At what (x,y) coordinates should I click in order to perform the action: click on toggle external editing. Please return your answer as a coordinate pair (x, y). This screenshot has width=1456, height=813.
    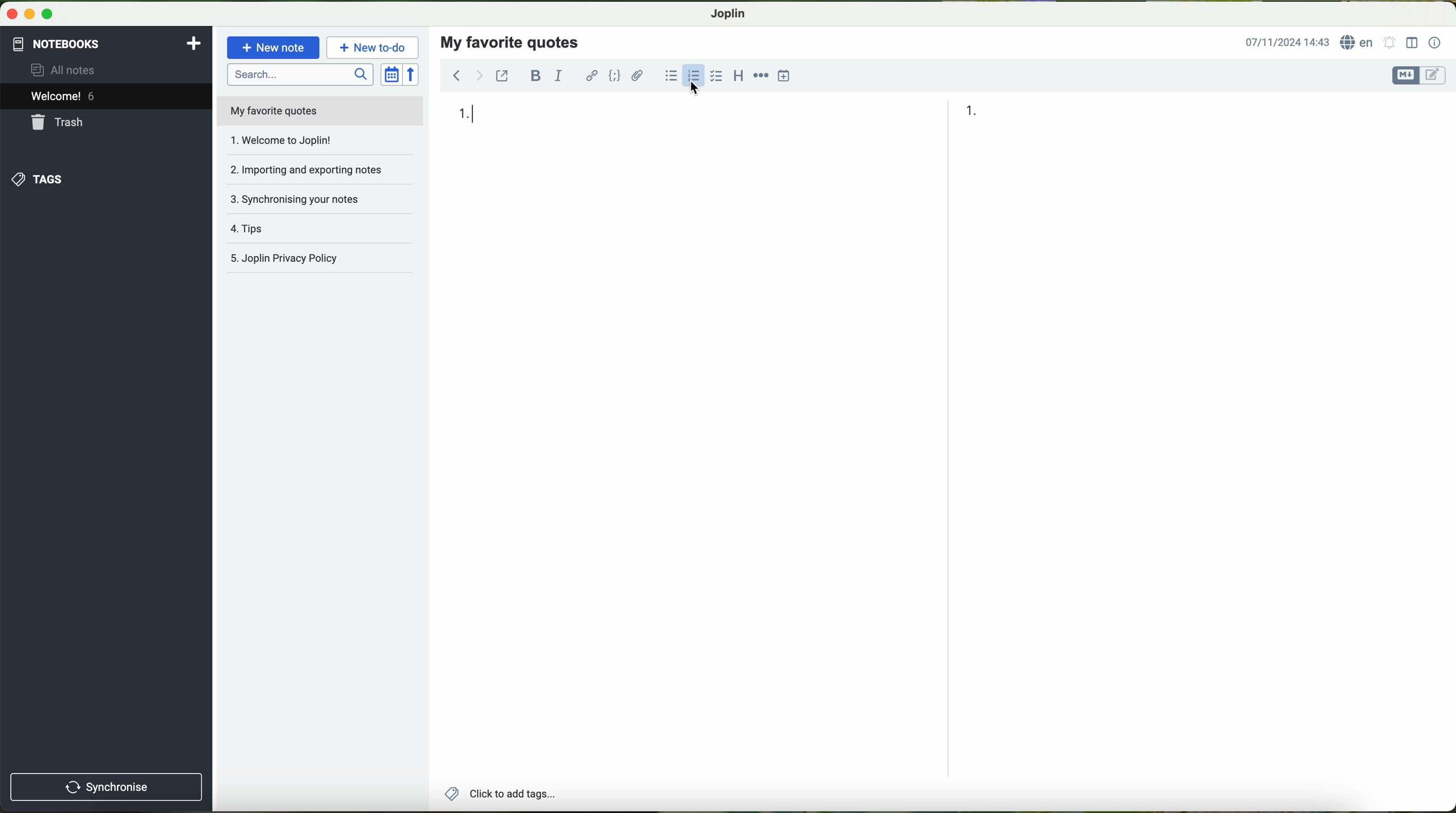
    Looking at the image, I should click on (503, 76).